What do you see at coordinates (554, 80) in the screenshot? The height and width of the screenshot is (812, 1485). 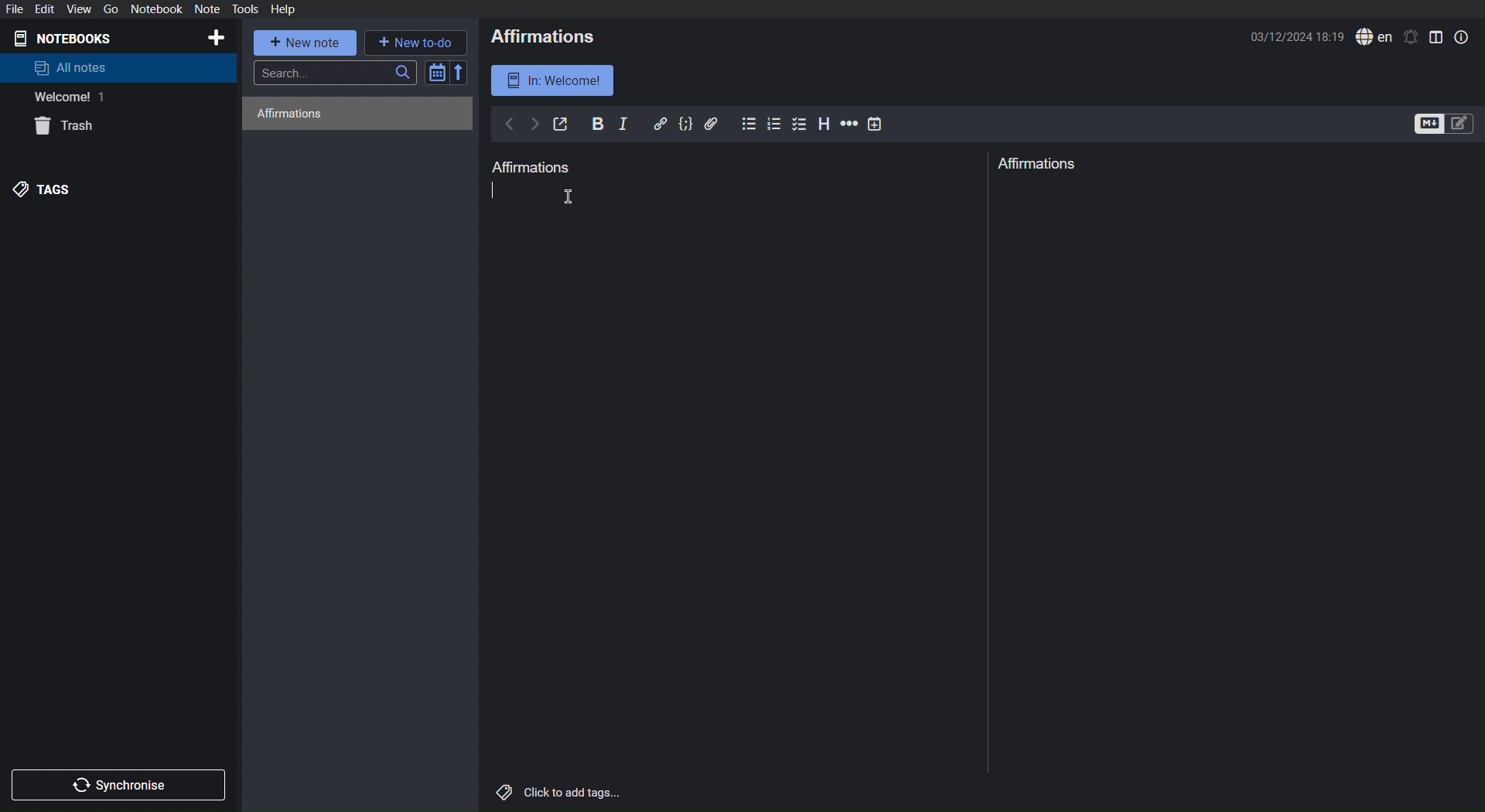 I see `In: Welcome!` at bounding box center [554, 80].